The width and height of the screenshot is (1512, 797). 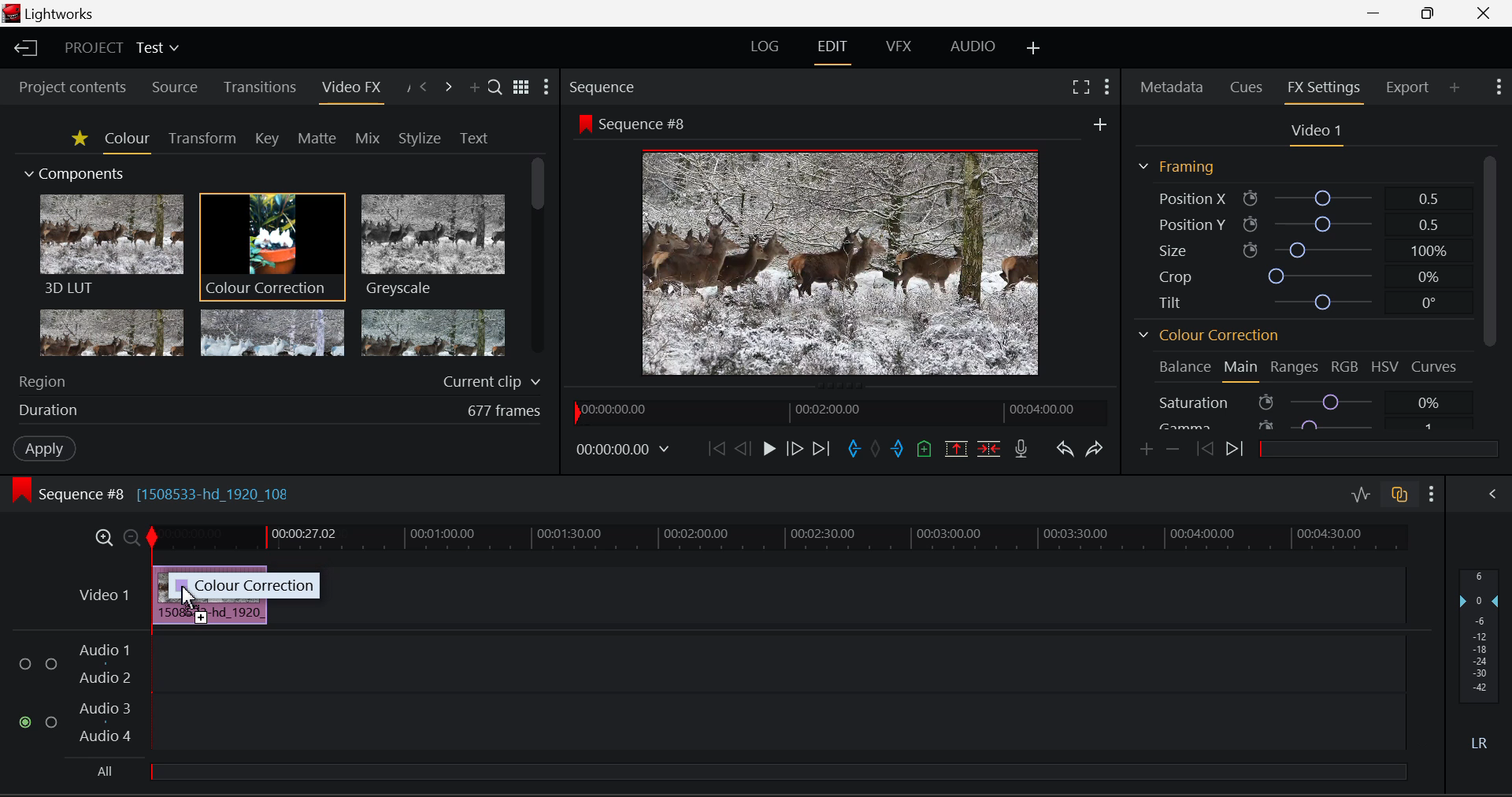 I want to click on Toggle Audio Levels Editing, so click(x=1360, y=498).